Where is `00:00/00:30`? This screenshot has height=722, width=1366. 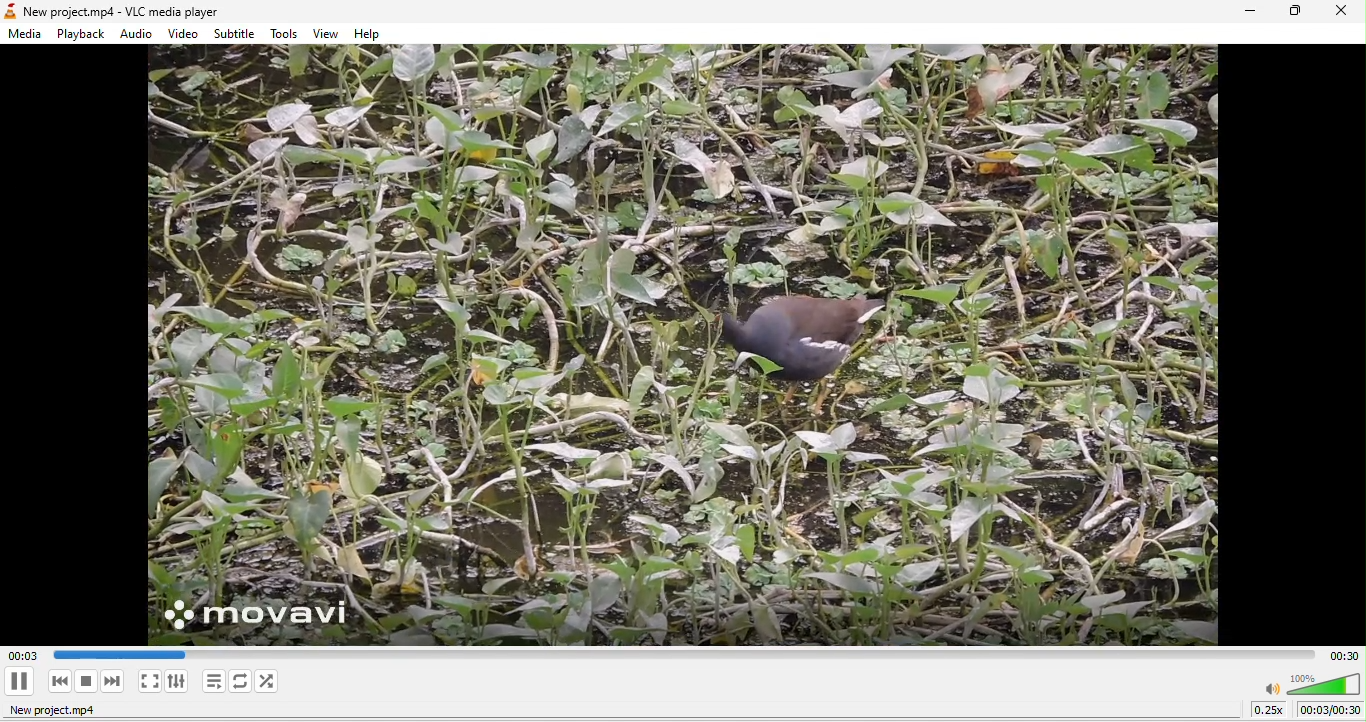
00:00/00:30 is located at coordinates (1330, 710).